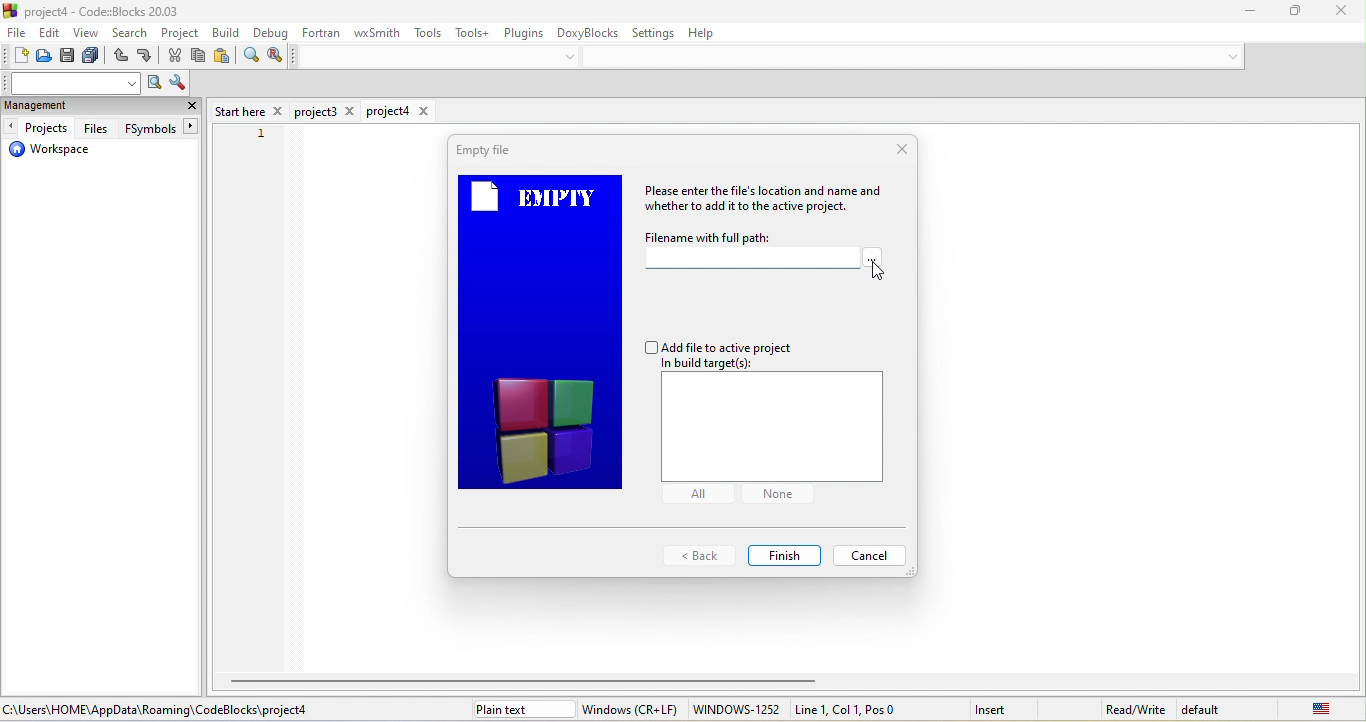 This screenshot has width=1366, height=722. Describe the element at coordinates (181, 34) in the screenshot. I see `project` at that location.